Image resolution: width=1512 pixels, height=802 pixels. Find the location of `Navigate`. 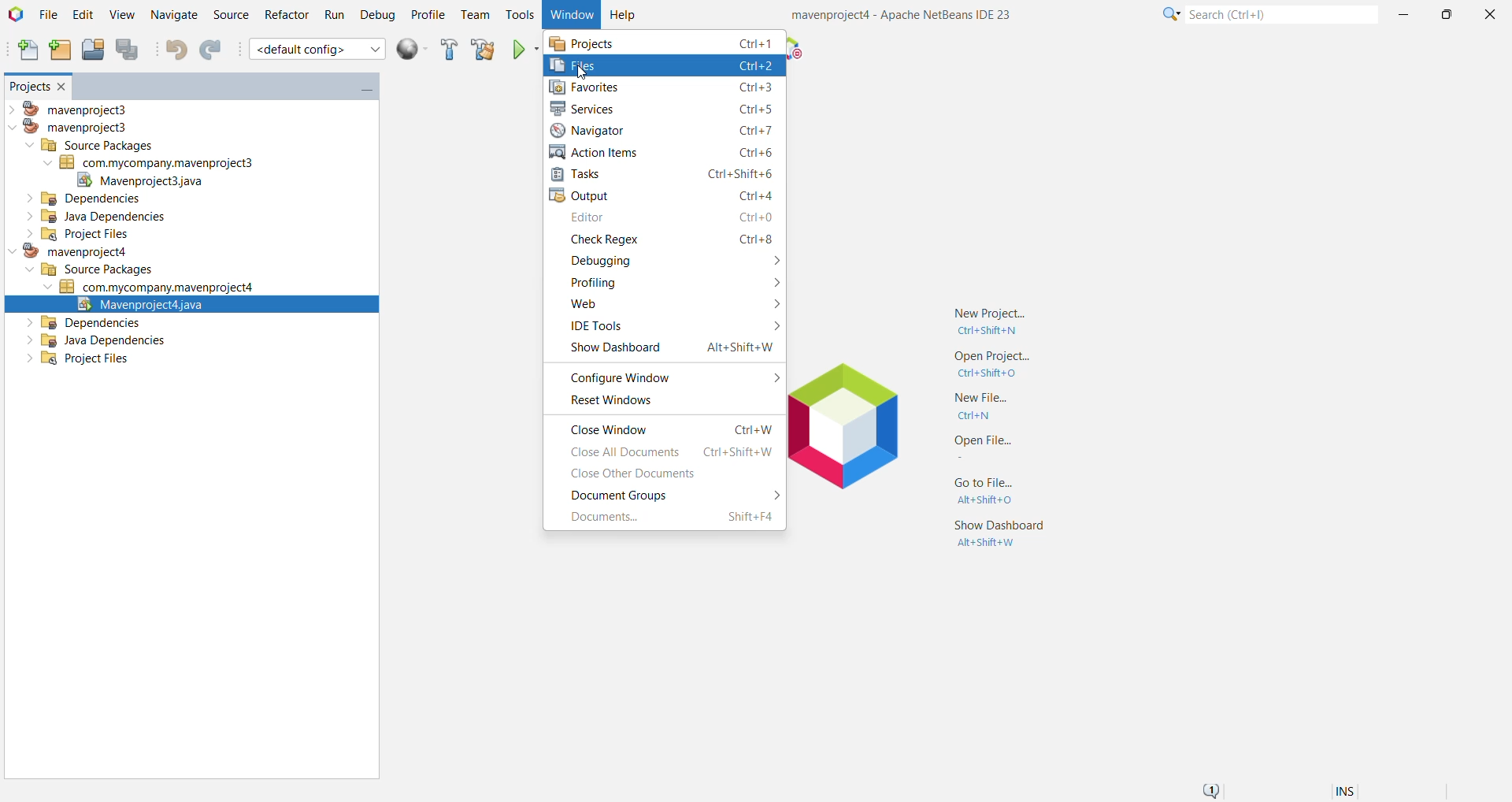

Navigate is located at coordinates (172, 16).